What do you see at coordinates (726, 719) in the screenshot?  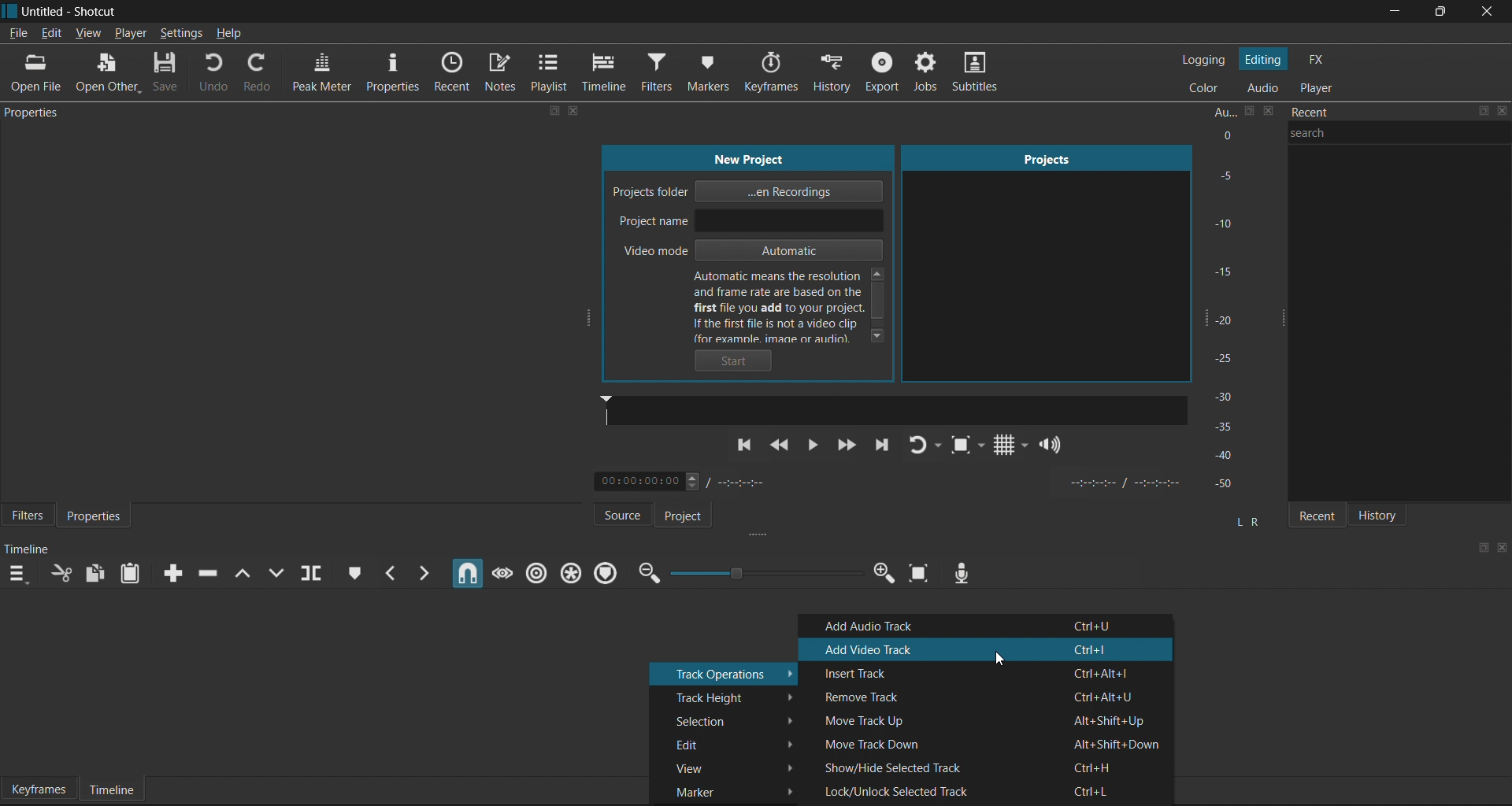 I see `Selection` at bounding box center [726, 719].